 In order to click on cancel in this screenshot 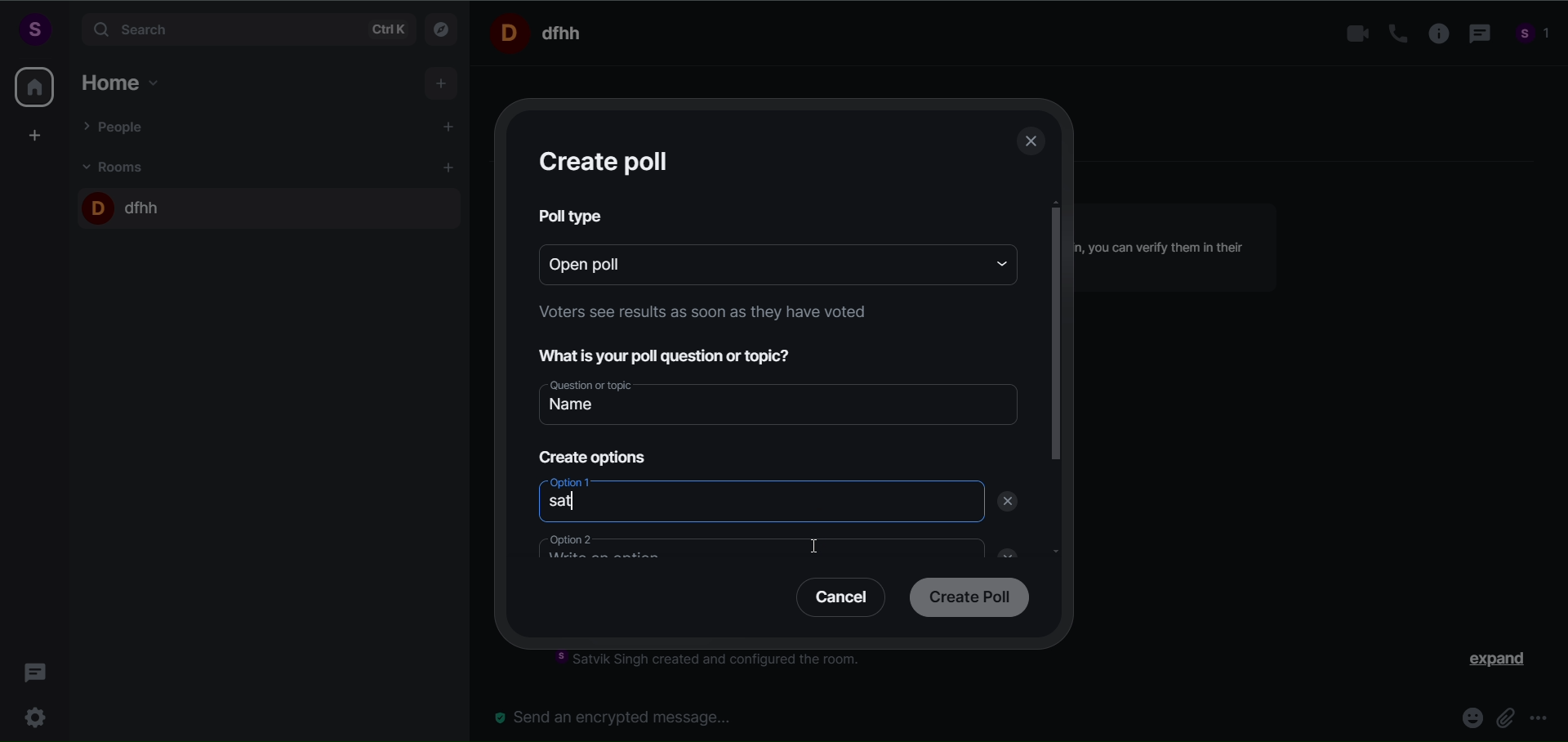, I will do `click(835, 601)`.